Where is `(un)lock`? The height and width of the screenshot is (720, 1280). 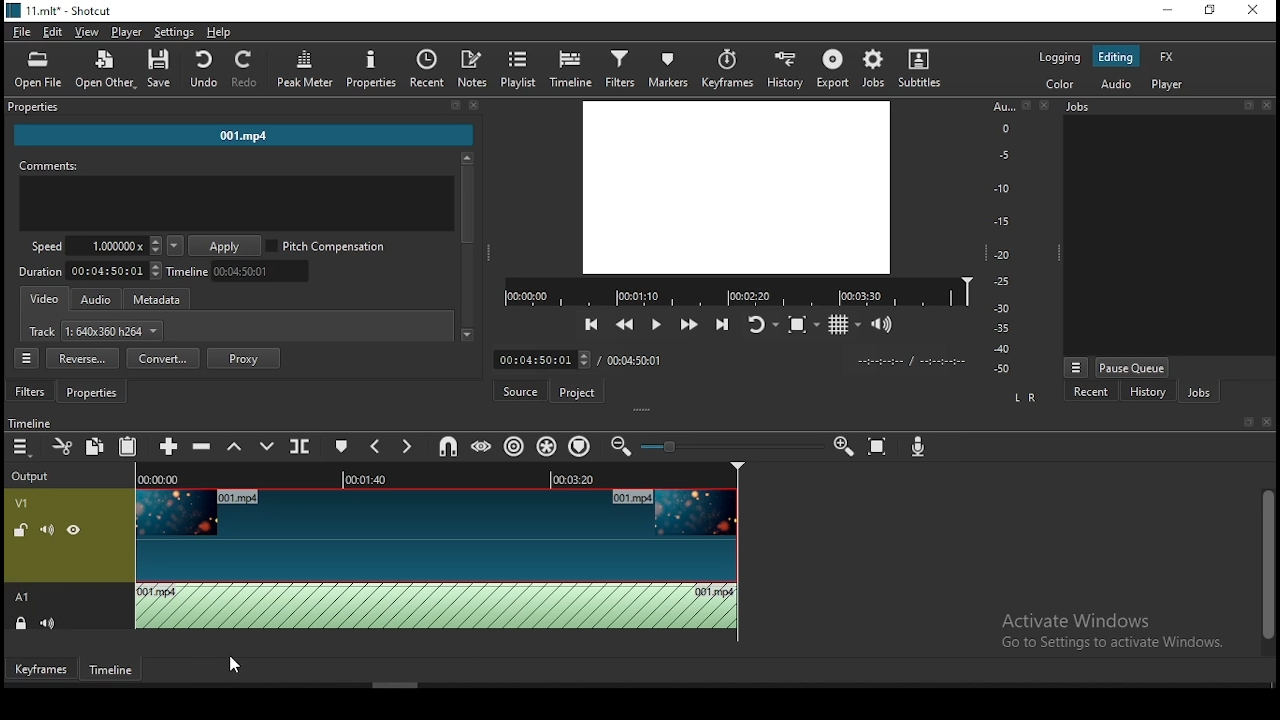 (un)lock is located at coordinates (21, 529).